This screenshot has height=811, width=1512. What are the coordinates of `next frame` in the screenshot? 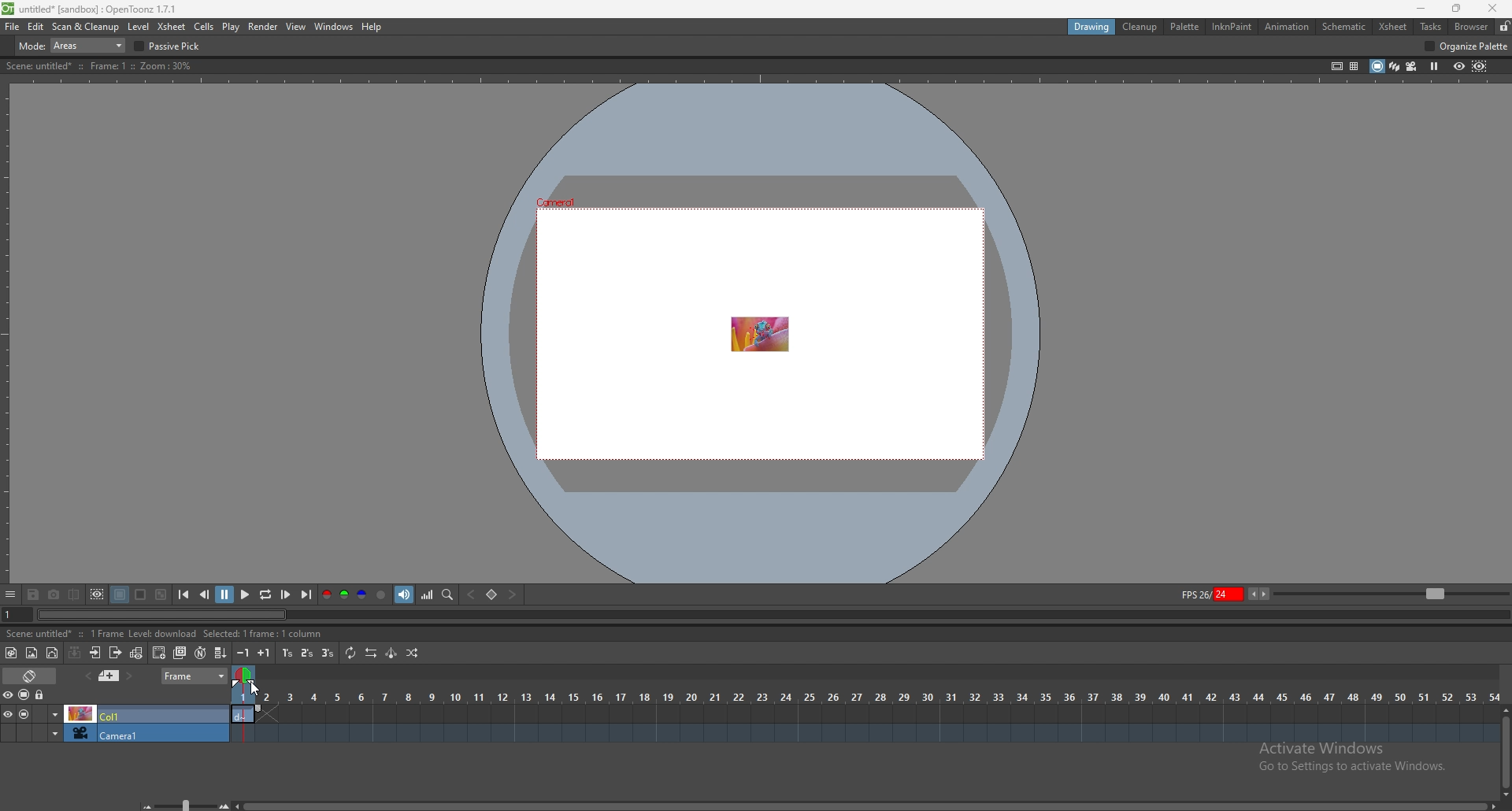 It's located at (287, 594).